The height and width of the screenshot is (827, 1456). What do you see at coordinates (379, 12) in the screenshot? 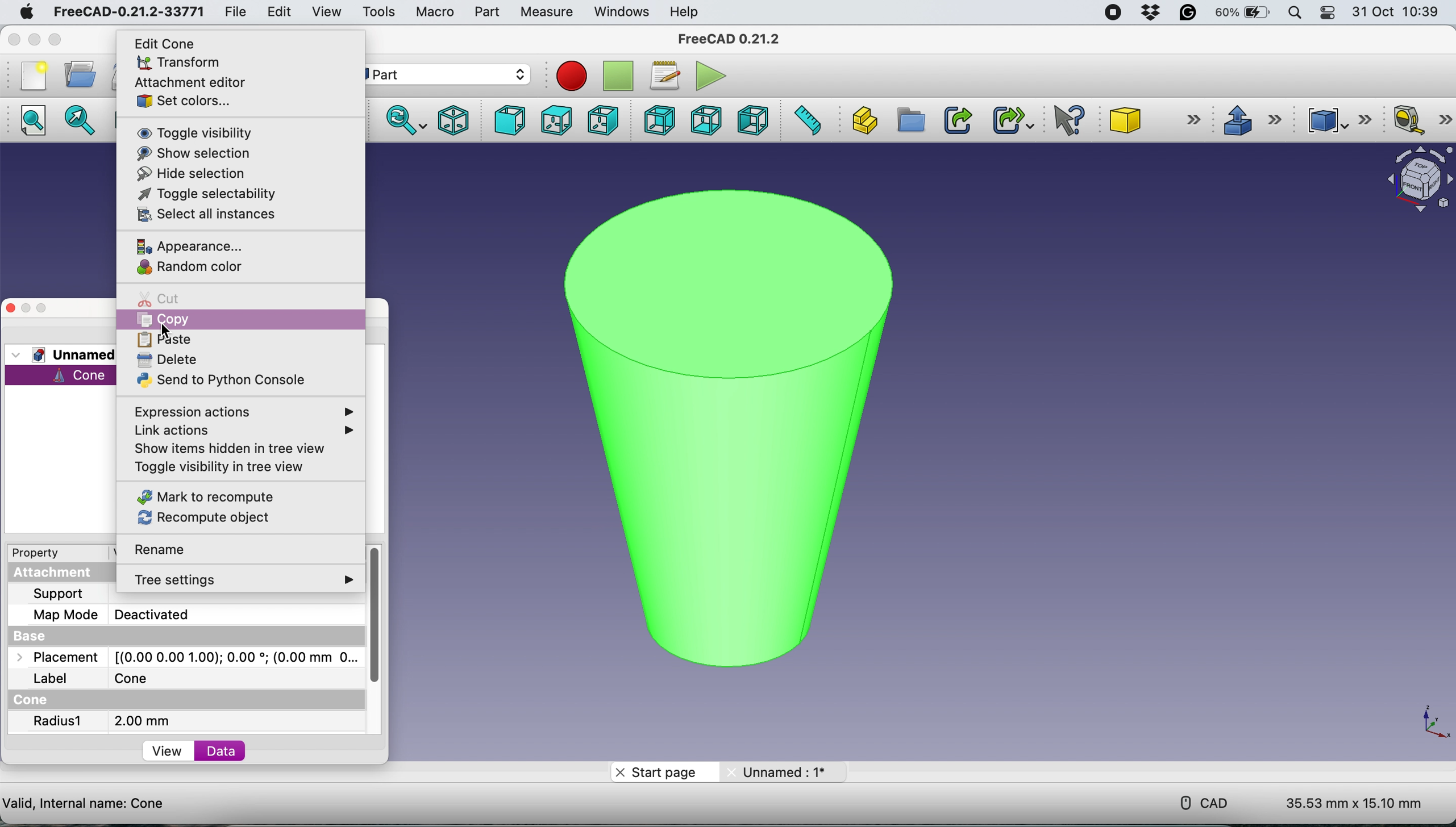
I see `tools` at bounding box center [379, 12].